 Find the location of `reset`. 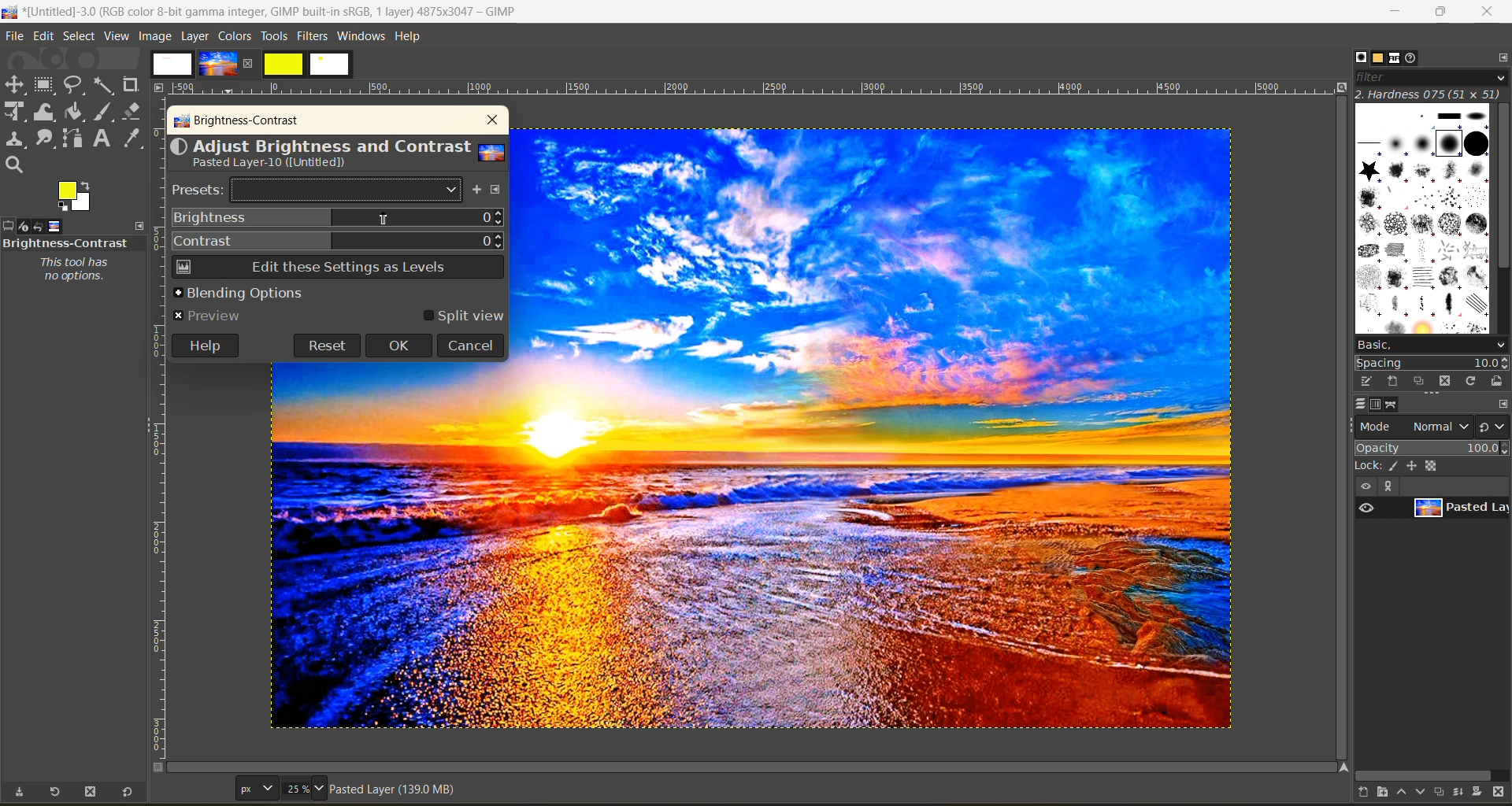

reset is located at coordinates (326, 345).